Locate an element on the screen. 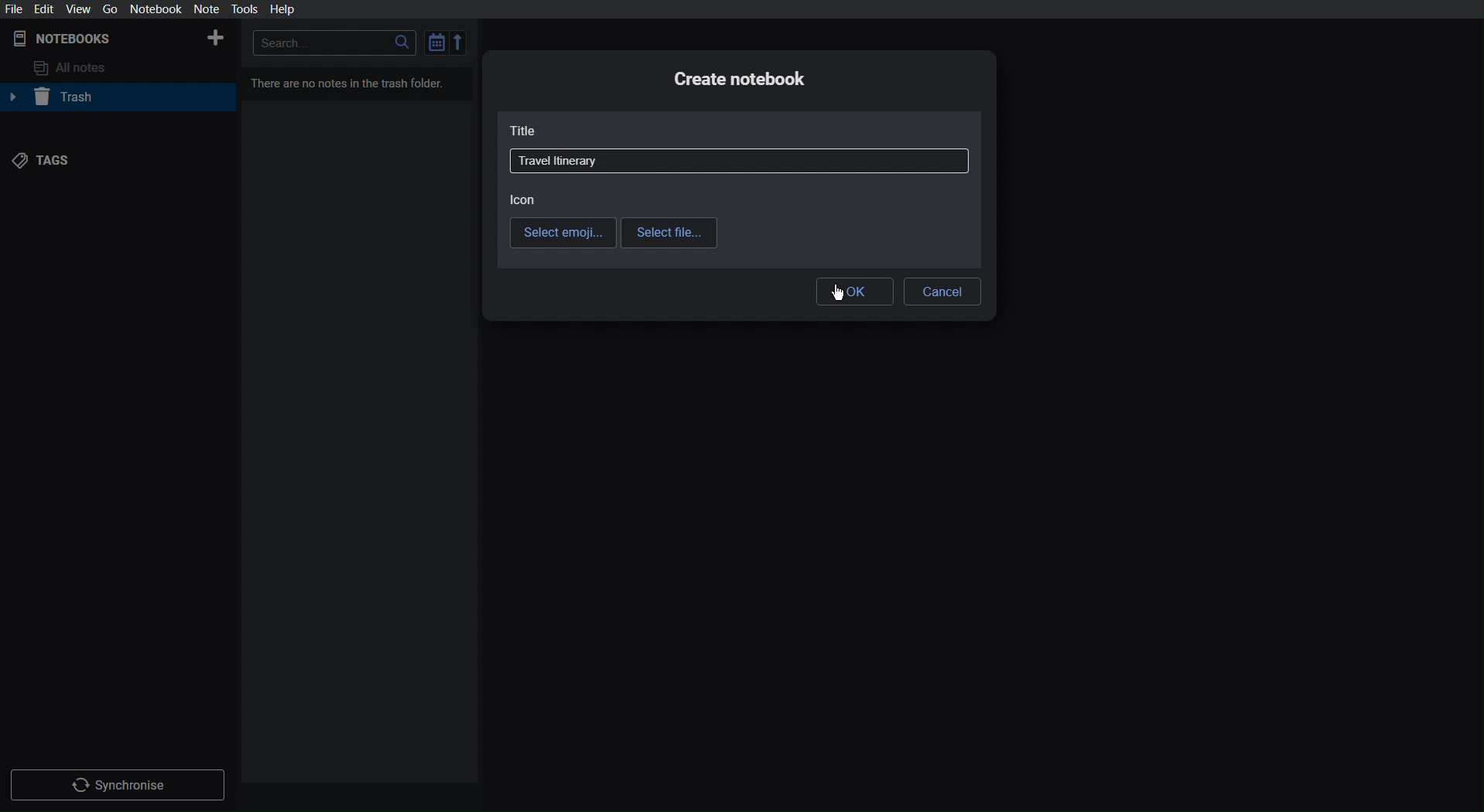  Notebooks is located at coordinates (63, 39).